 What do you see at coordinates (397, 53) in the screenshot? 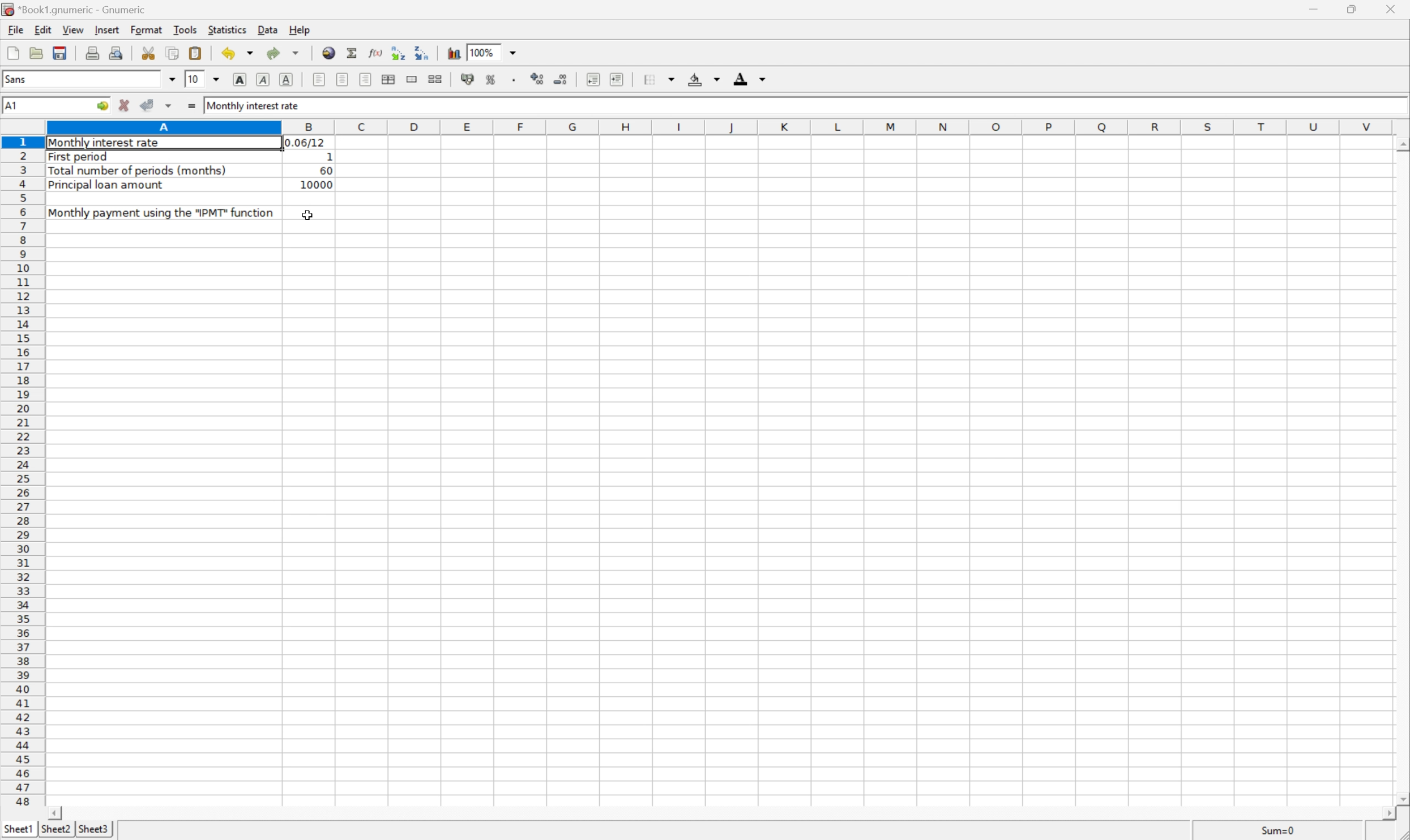
I see `Sort the selected region in ascending order based on the first column selected` at bounding box center [397, 53].